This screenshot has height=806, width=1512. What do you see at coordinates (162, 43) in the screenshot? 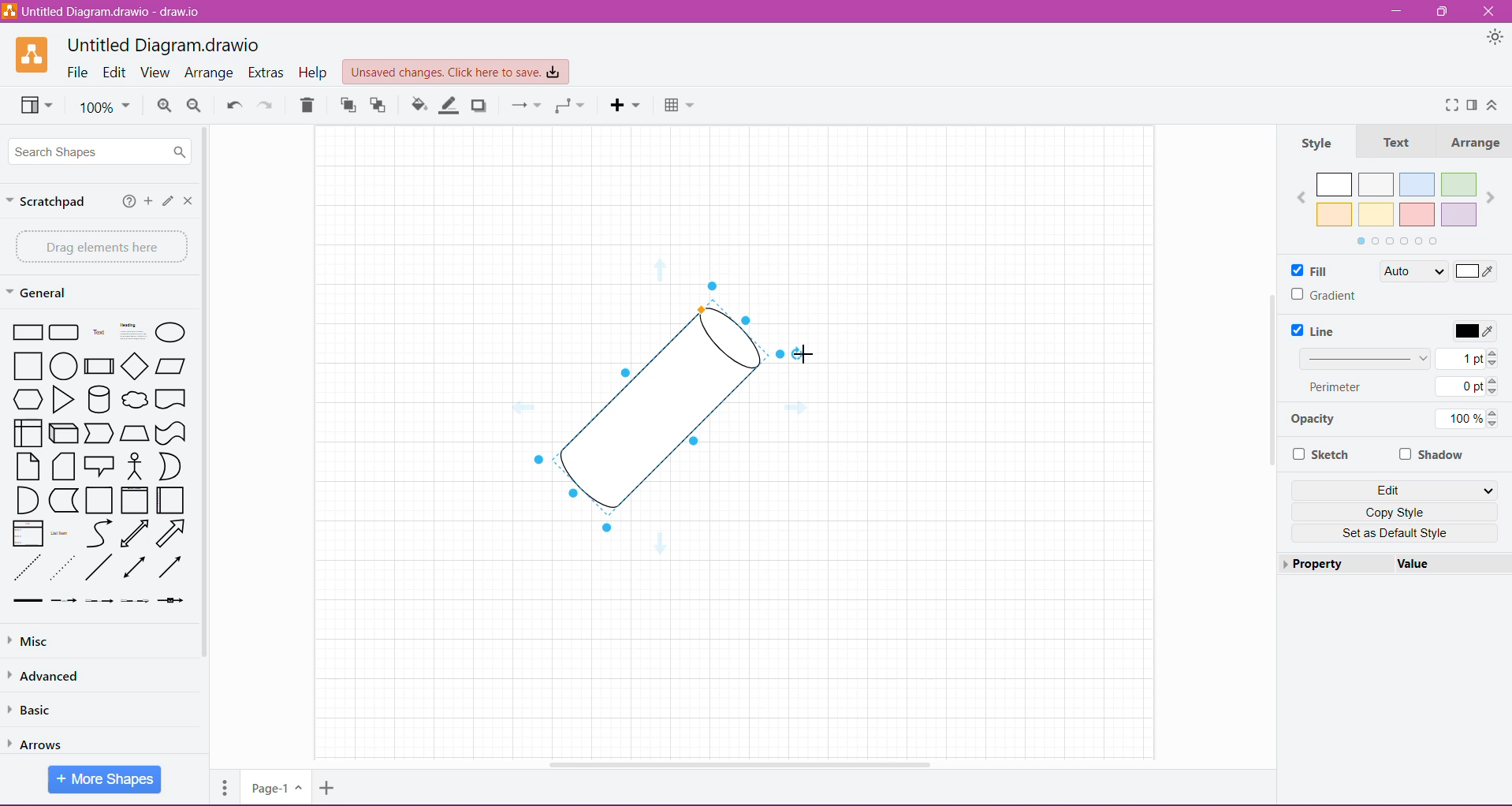
I see `Untitled Diagram.draw.io - draw.io` at bounding box center [162, 43].